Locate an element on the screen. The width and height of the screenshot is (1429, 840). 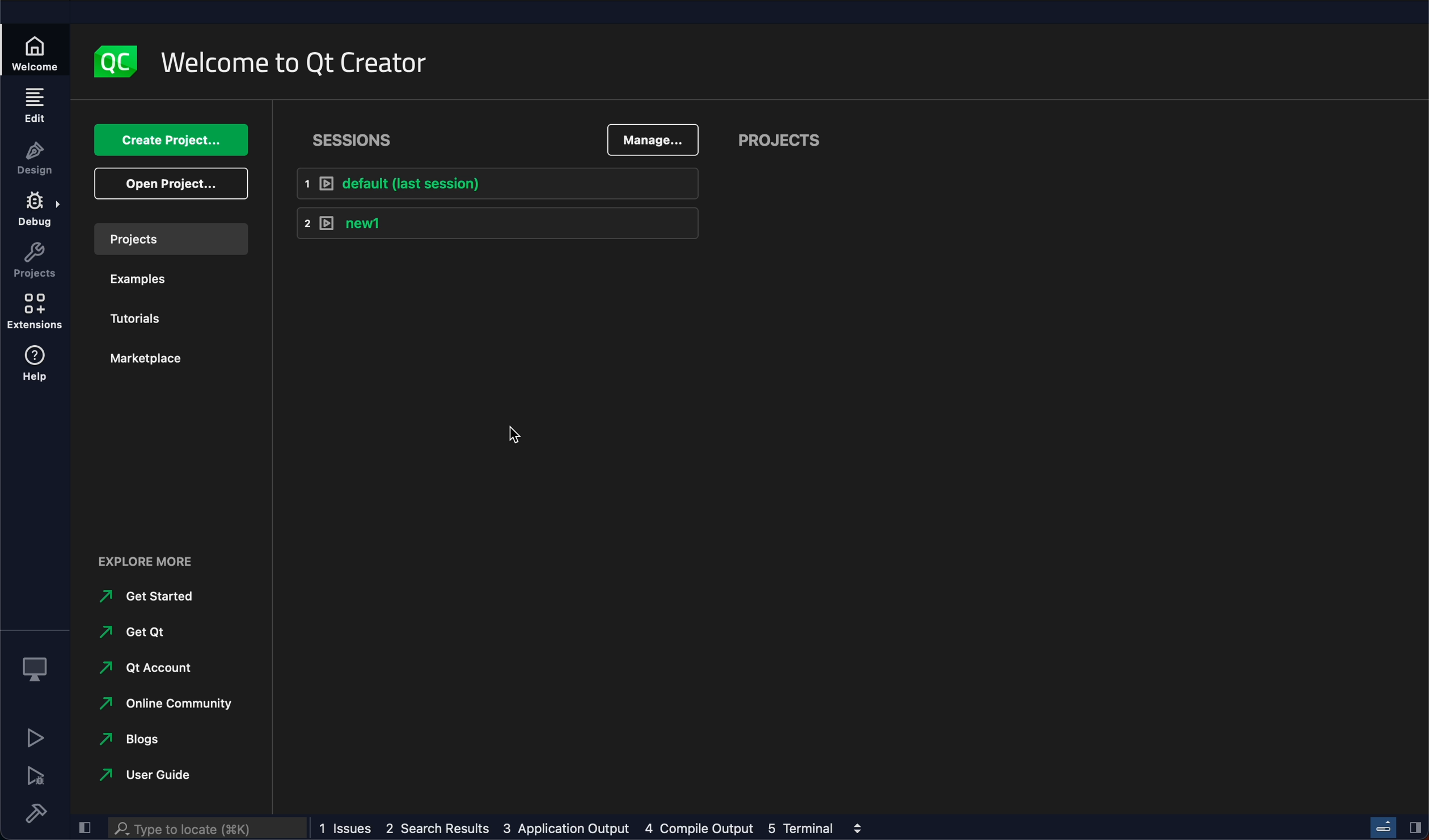
open is located at coordinates (168, 184).